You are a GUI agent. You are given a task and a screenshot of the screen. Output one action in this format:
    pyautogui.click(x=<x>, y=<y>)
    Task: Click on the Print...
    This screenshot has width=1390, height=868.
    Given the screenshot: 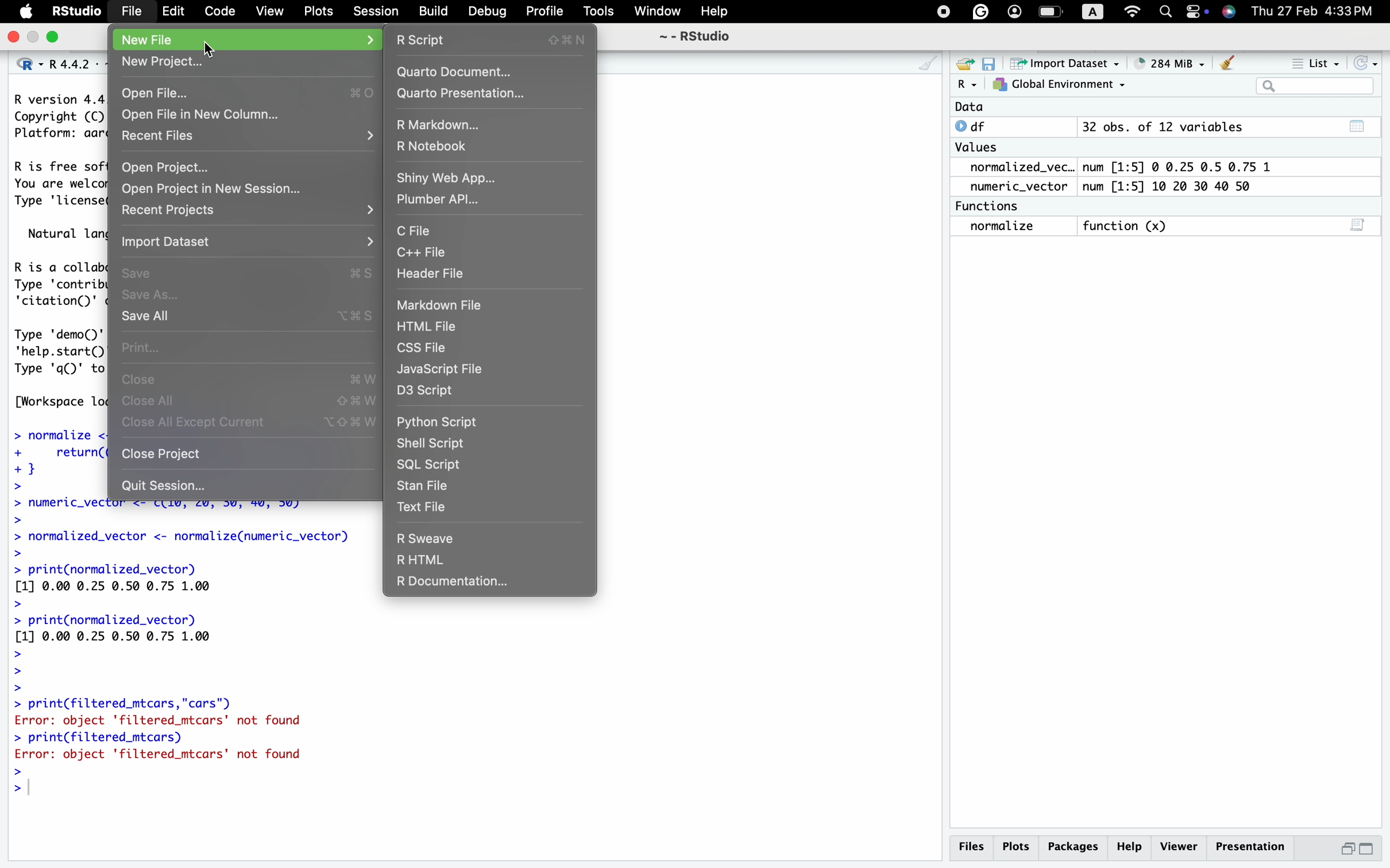 What is the action you would take?
    pyautogui.click(x=142, y=347)
    